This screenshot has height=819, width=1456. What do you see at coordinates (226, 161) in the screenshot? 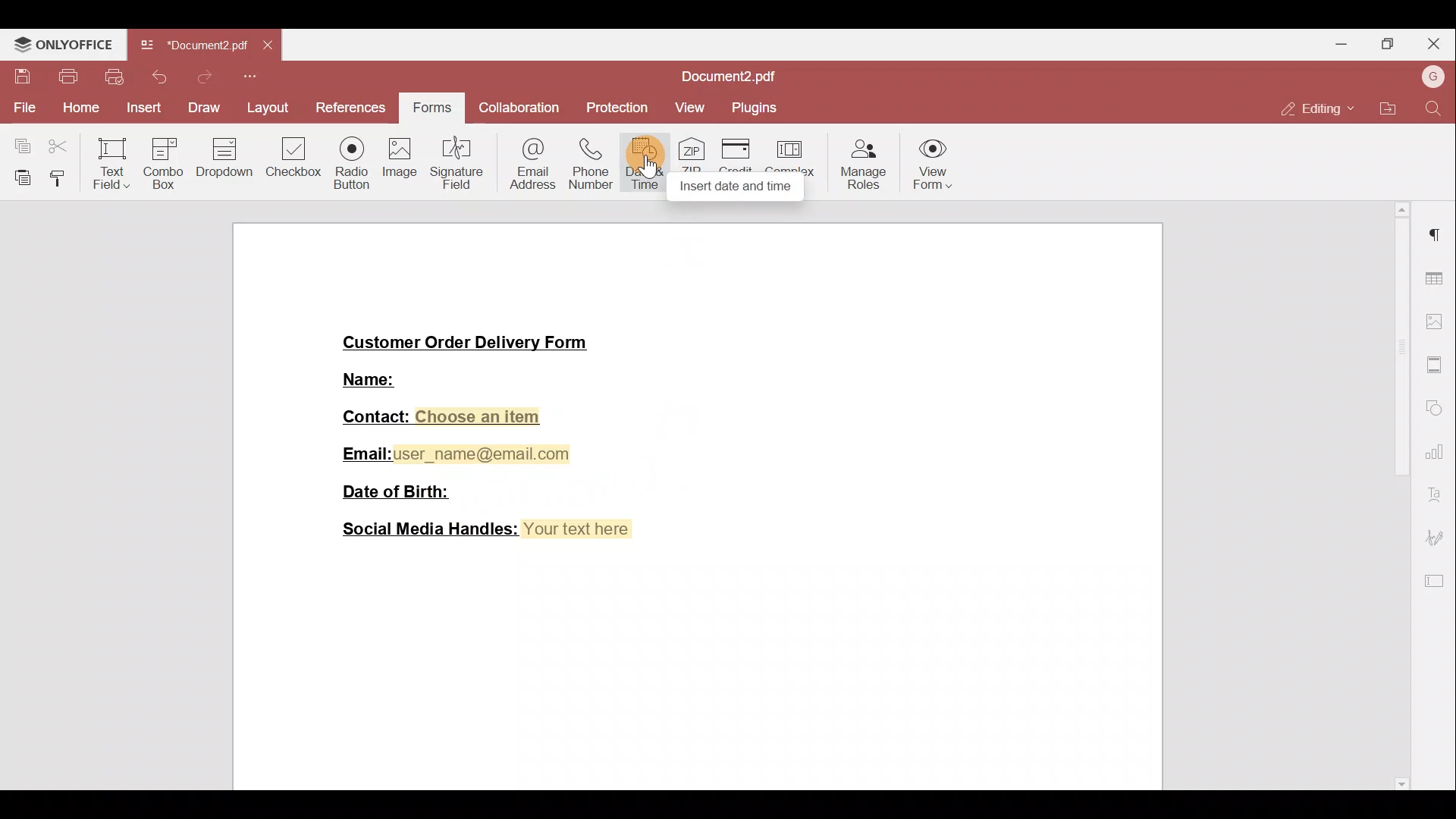
I see `Dropdown` at bounding box center [226, 161].